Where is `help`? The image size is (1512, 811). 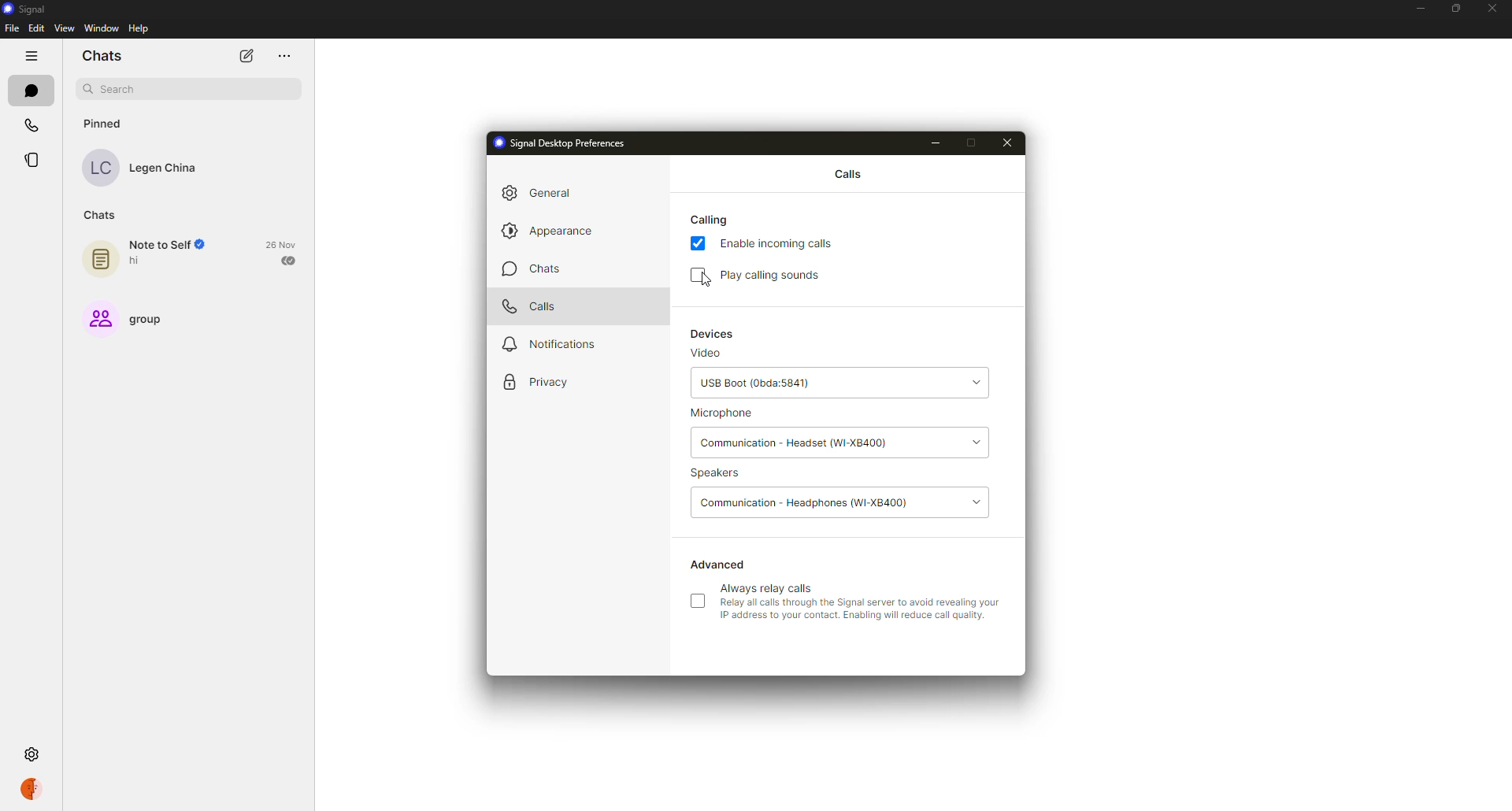 help is located at coordinates (138, 28).